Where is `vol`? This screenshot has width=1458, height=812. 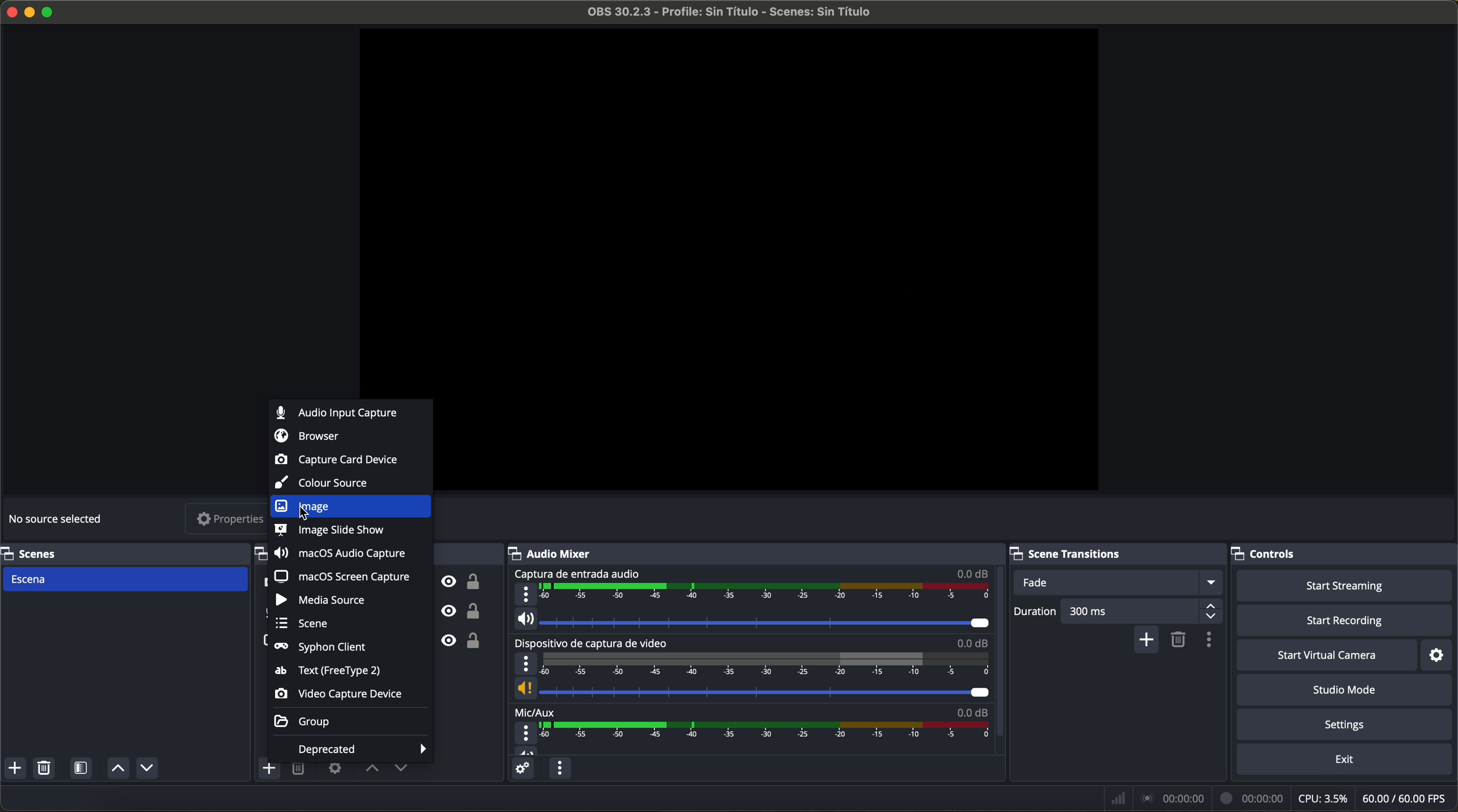
vol is located at coordinates (751, 689).